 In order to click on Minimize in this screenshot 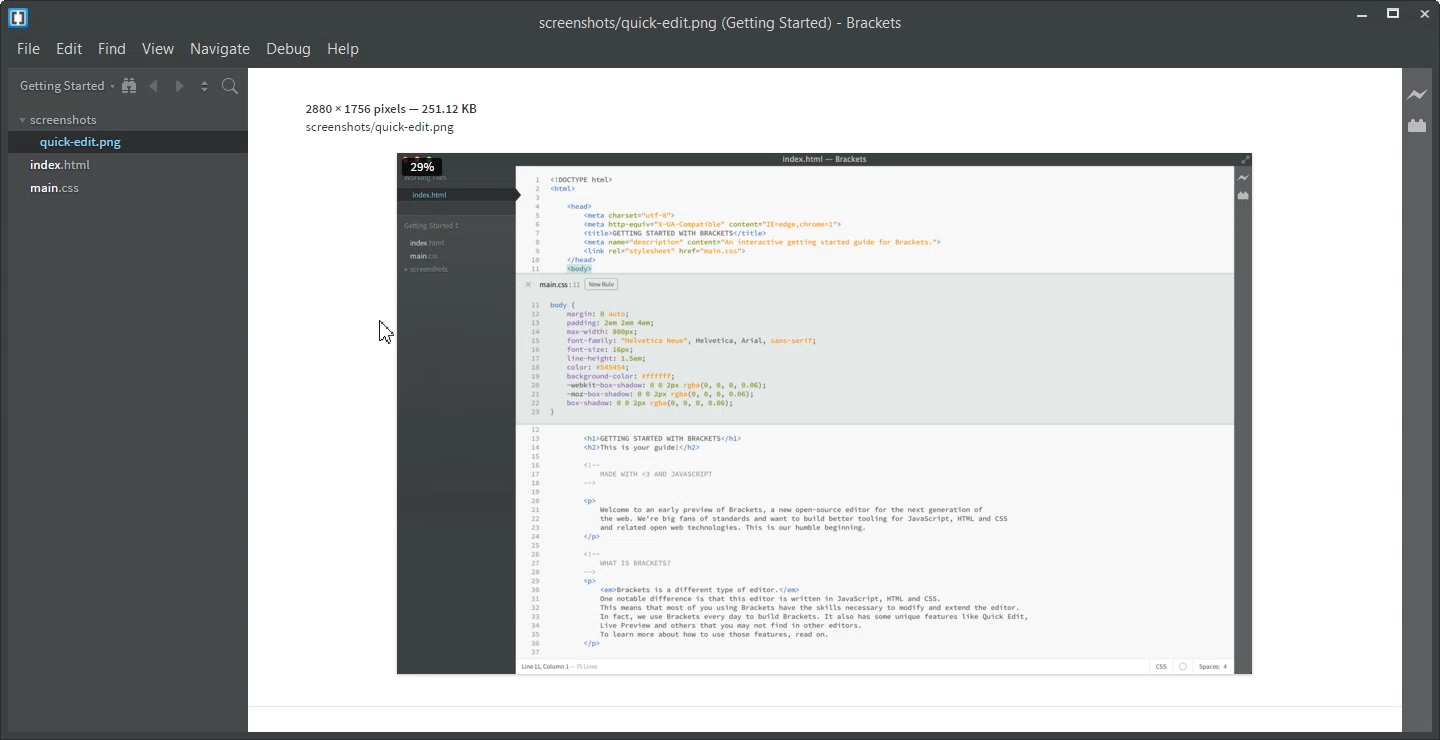, I will do `click(1364, 15)`.